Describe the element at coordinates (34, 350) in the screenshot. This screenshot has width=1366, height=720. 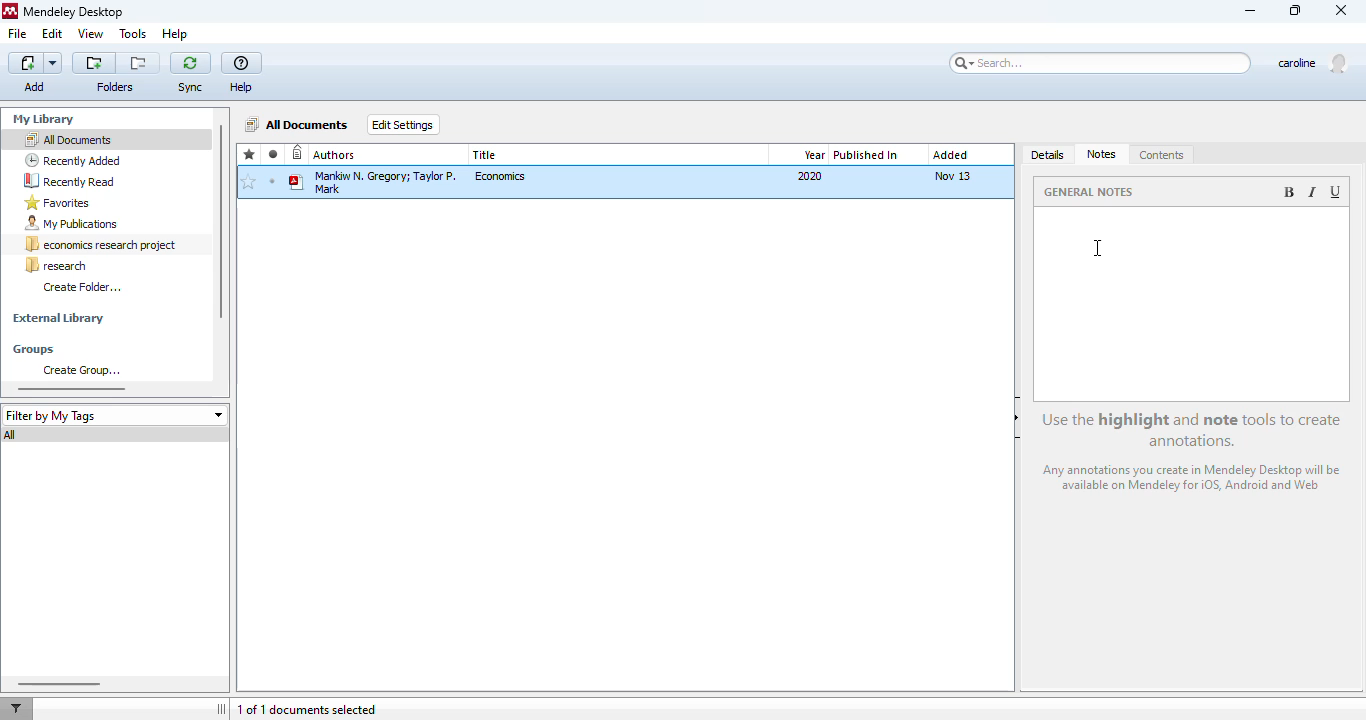
I see `groups` at that location.